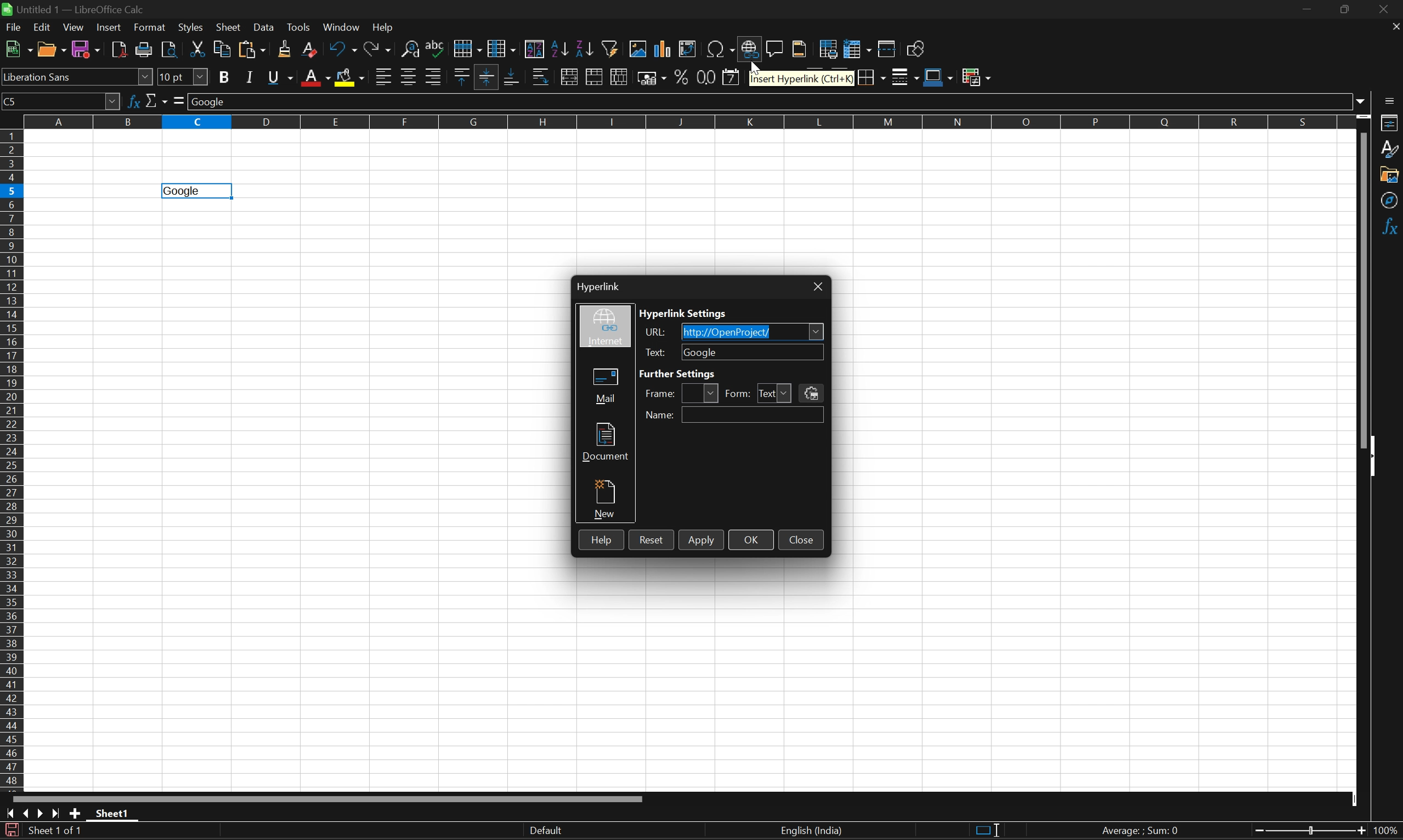 This screenshot has width=1403, height=840. I want to click on Insert hyperlink, so click(748, 49).